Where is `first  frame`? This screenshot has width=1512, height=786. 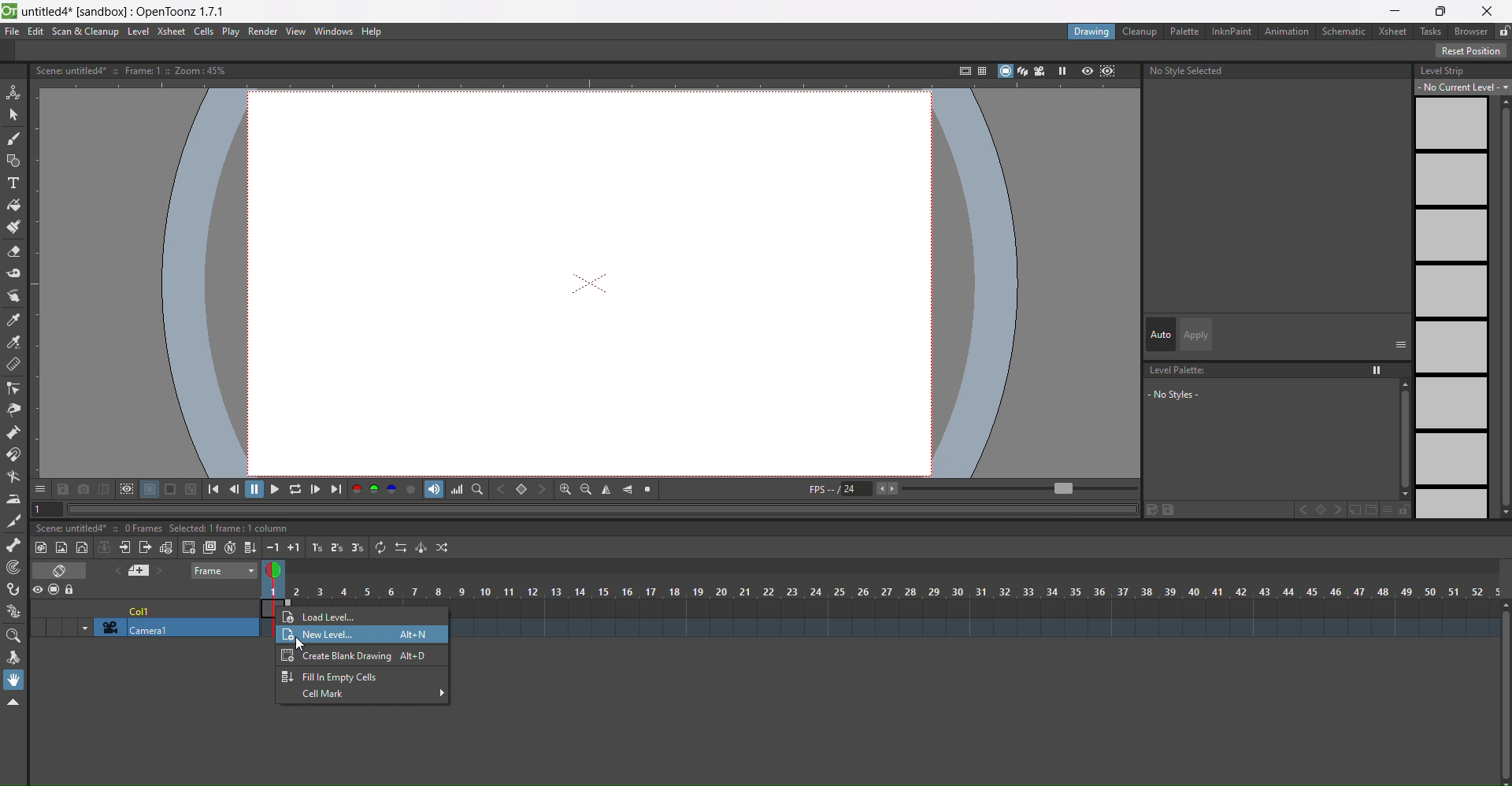 first  frame is located at coordinates (218, 488).